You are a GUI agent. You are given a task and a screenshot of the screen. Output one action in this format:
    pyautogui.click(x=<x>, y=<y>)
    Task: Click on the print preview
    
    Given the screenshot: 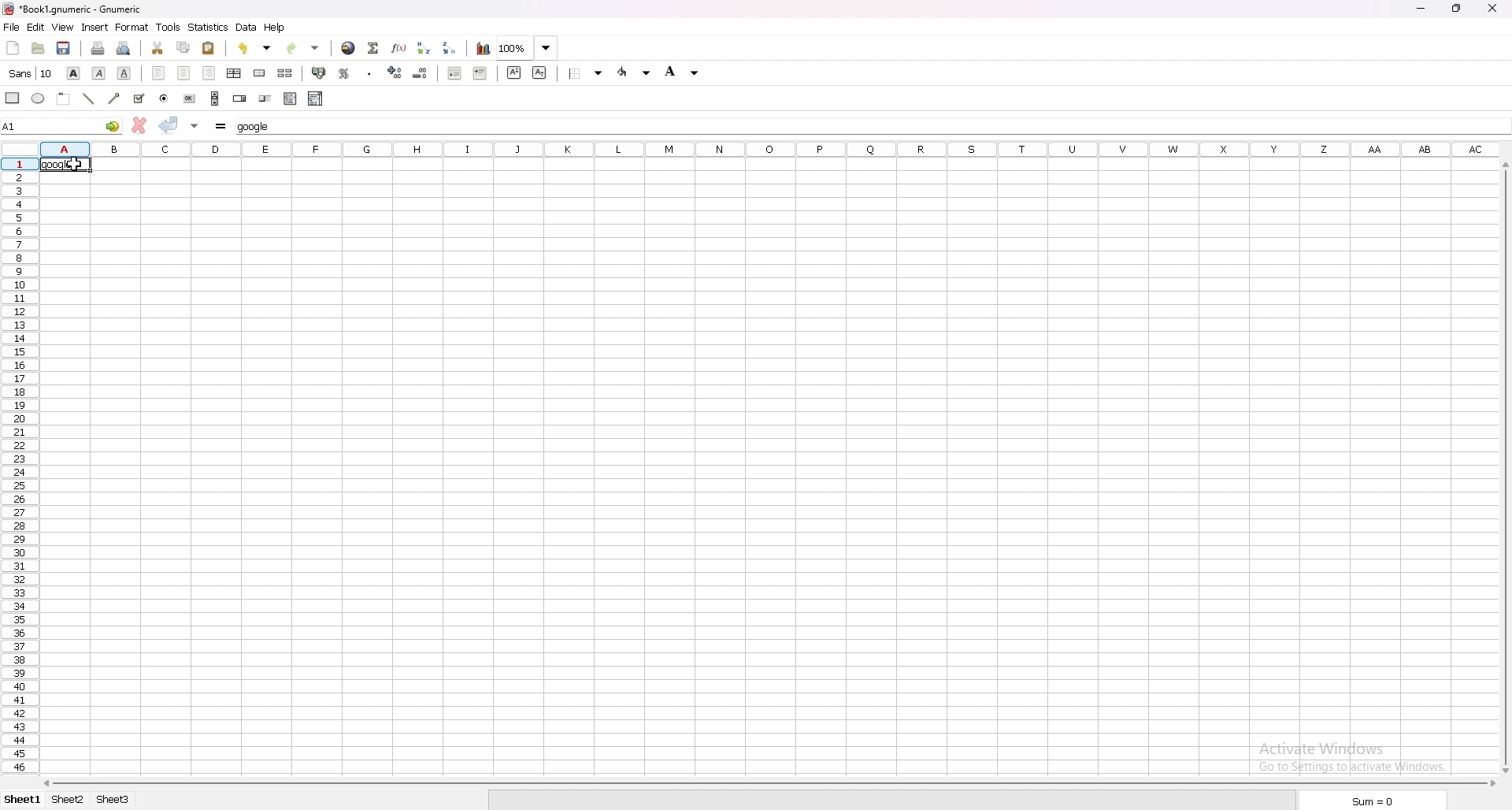 What is the action you would take?
    pyautogui.click(x=125, y=48)
    